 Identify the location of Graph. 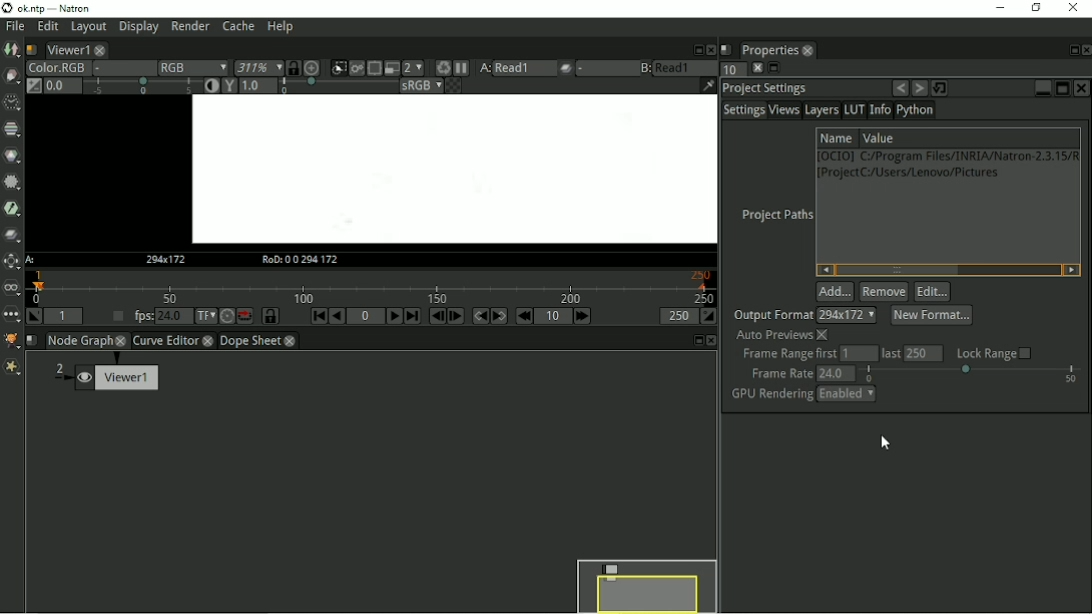
(67, 49).